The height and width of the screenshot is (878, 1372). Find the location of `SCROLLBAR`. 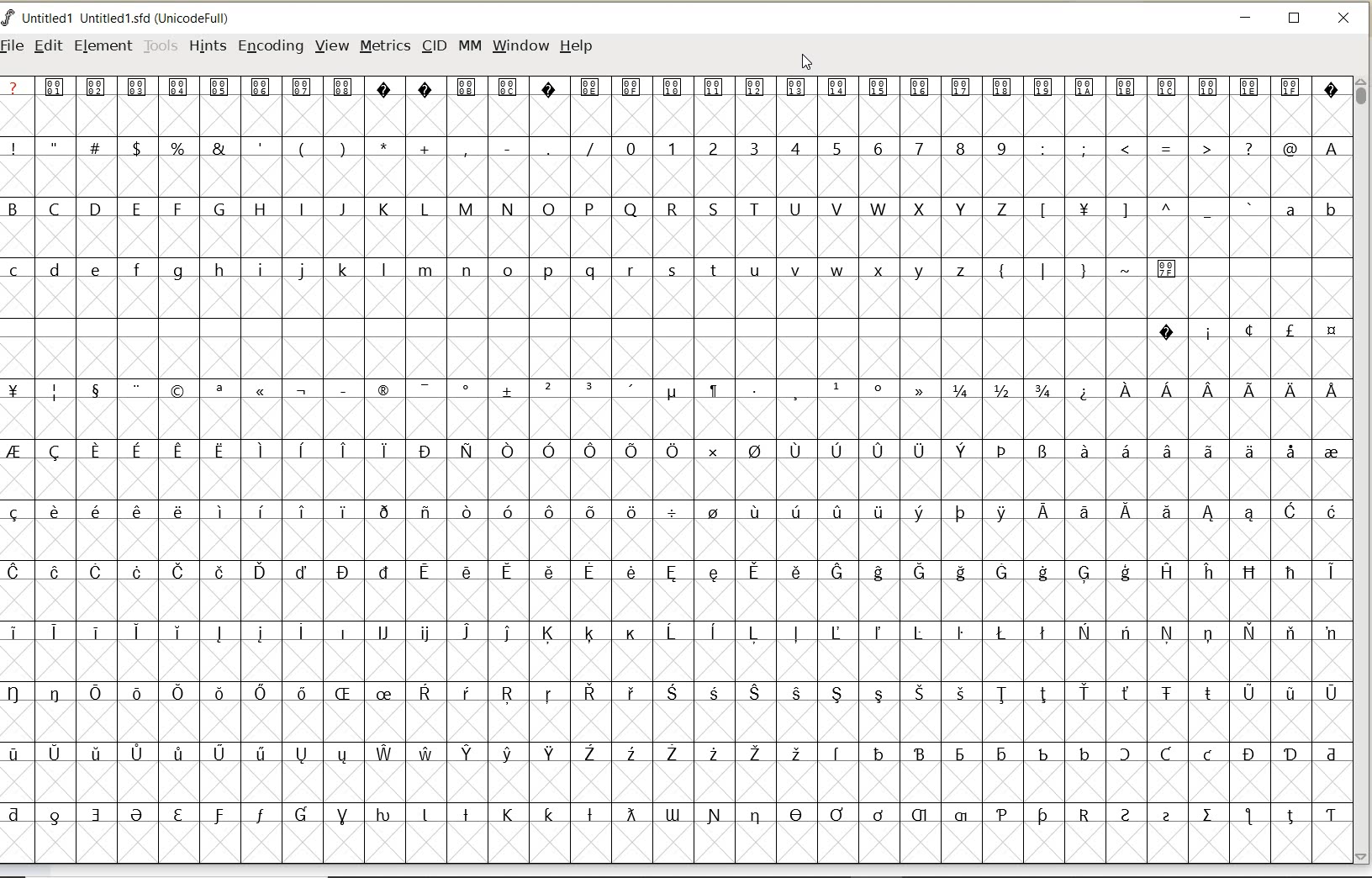

SCROLLBAR is located at coordinates (1364, 470).